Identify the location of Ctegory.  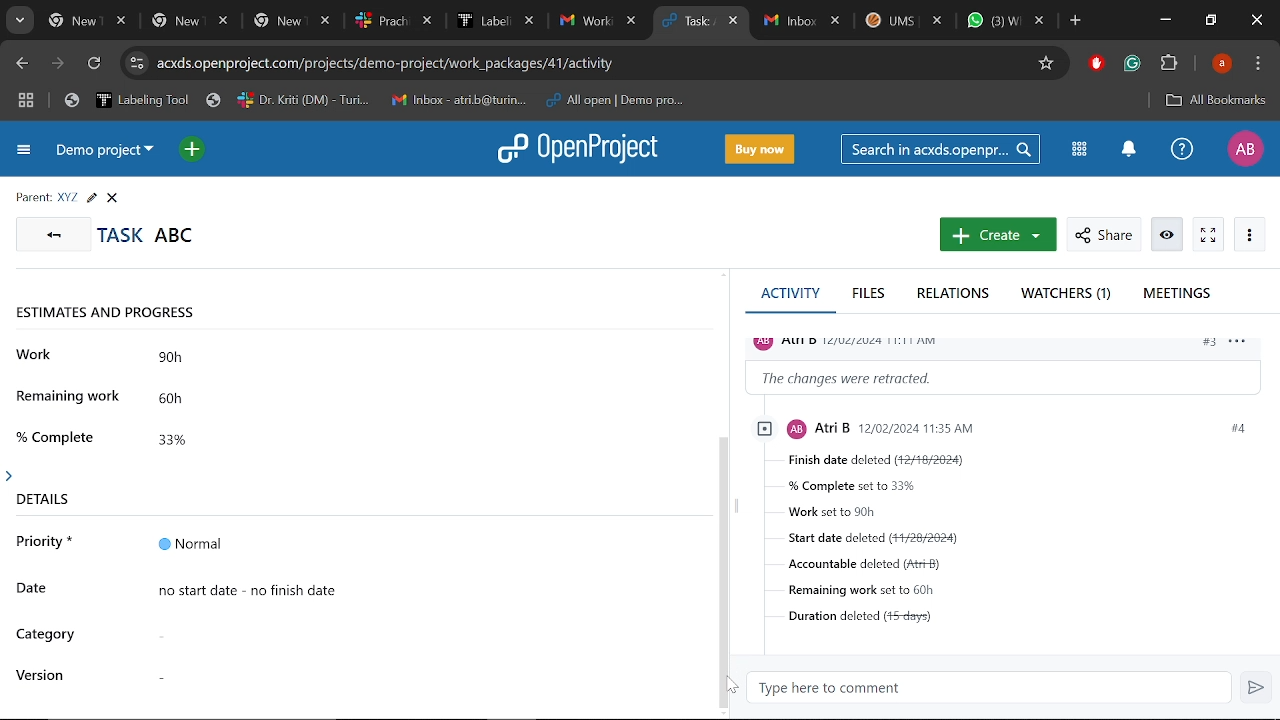
(416, 634).